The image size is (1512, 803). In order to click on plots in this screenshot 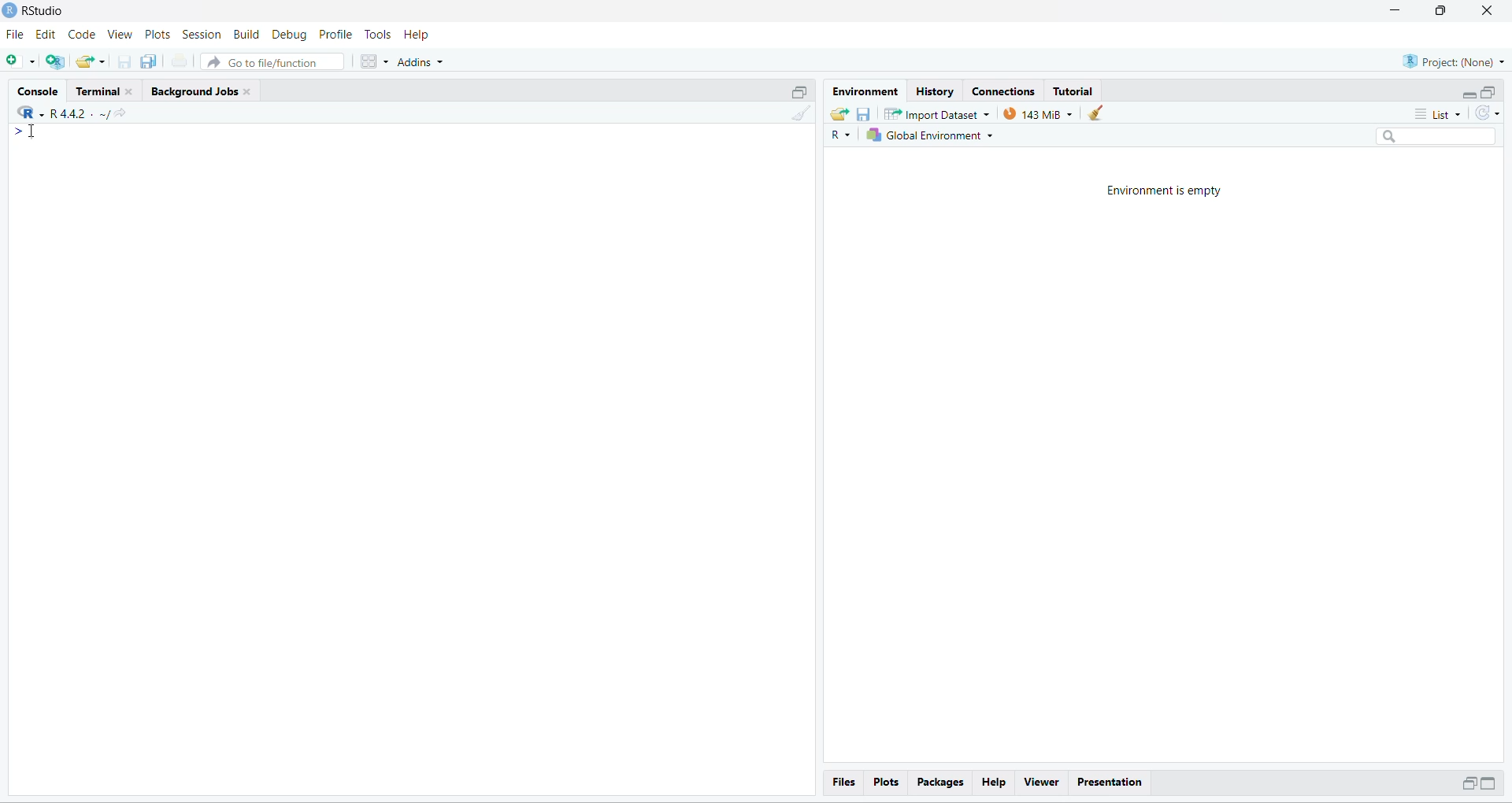, I will do `click(887, 783)`.